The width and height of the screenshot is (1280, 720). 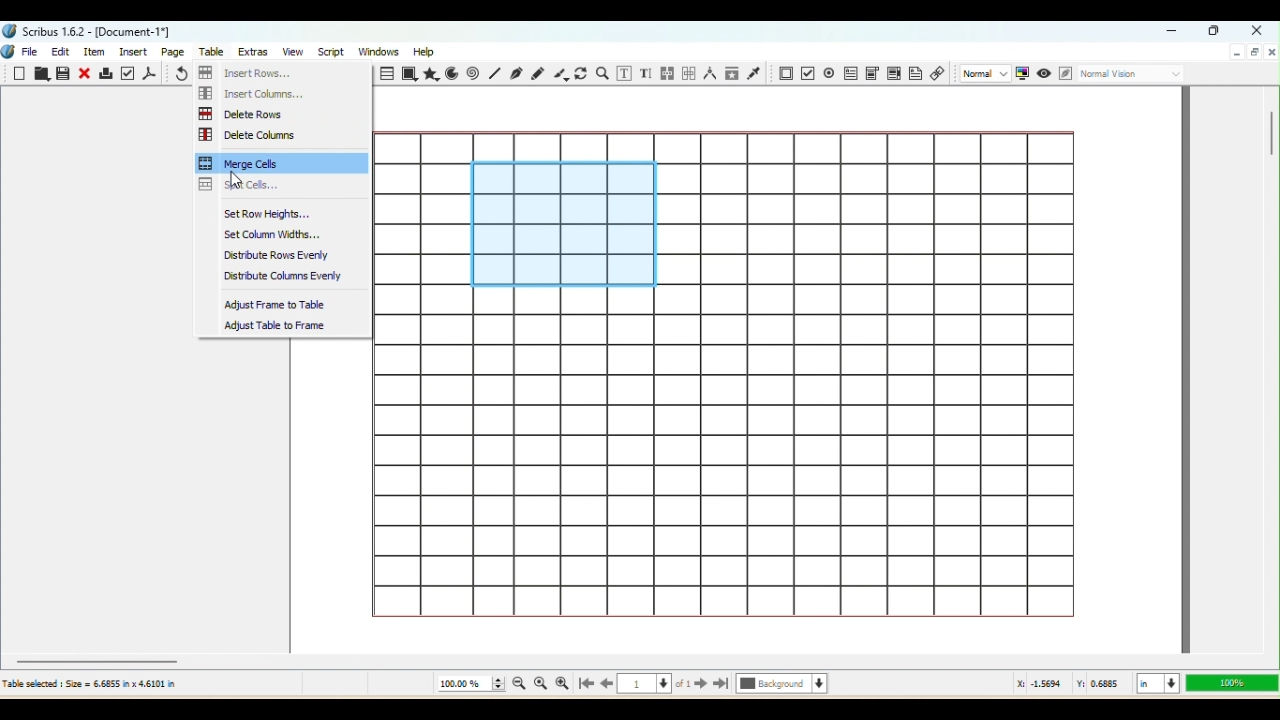 I want to click on PDF Push button, so click(x=784, y=73).